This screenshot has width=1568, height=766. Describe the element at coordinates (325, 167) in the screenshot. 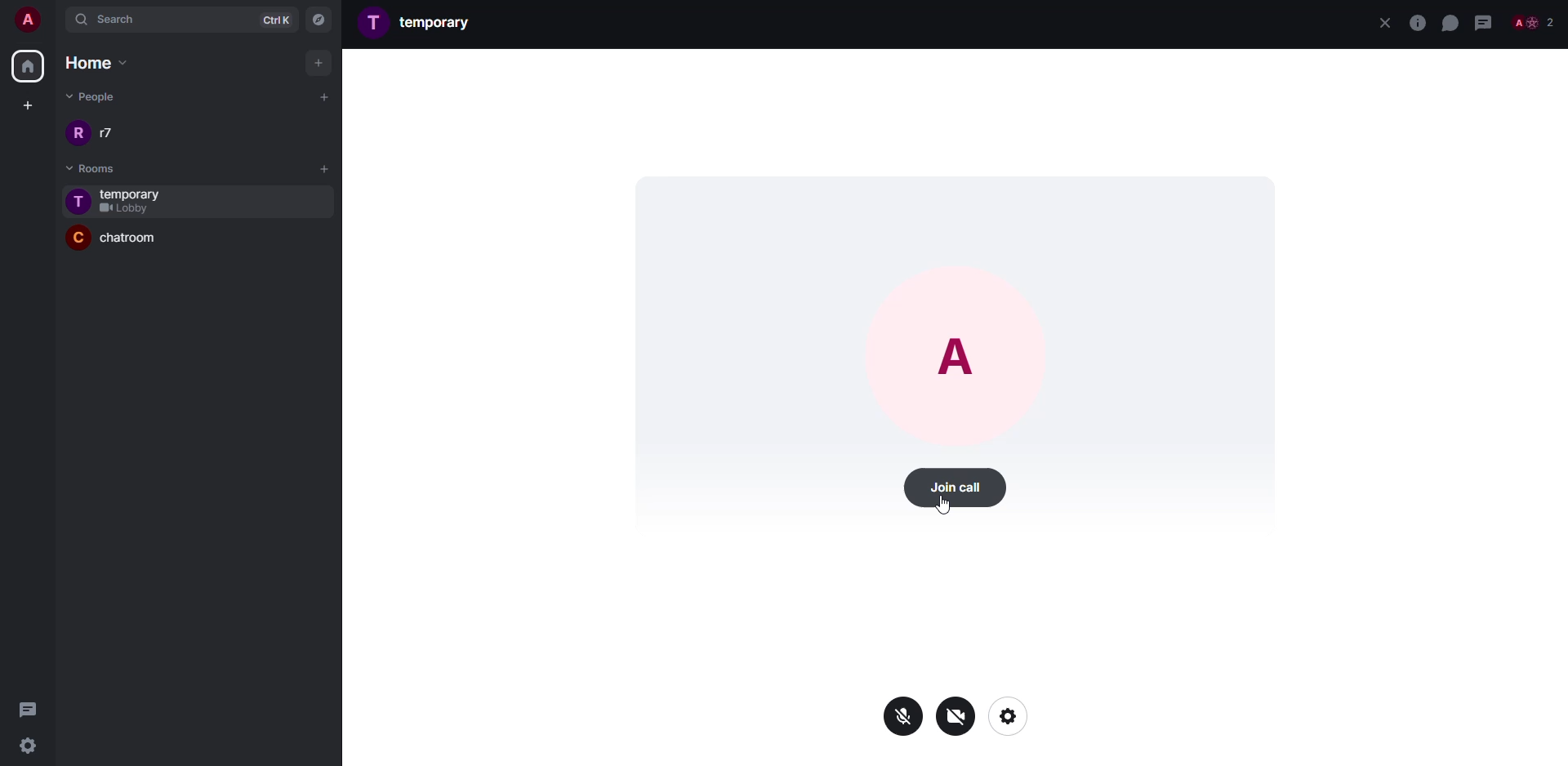

I see `add` at that location.